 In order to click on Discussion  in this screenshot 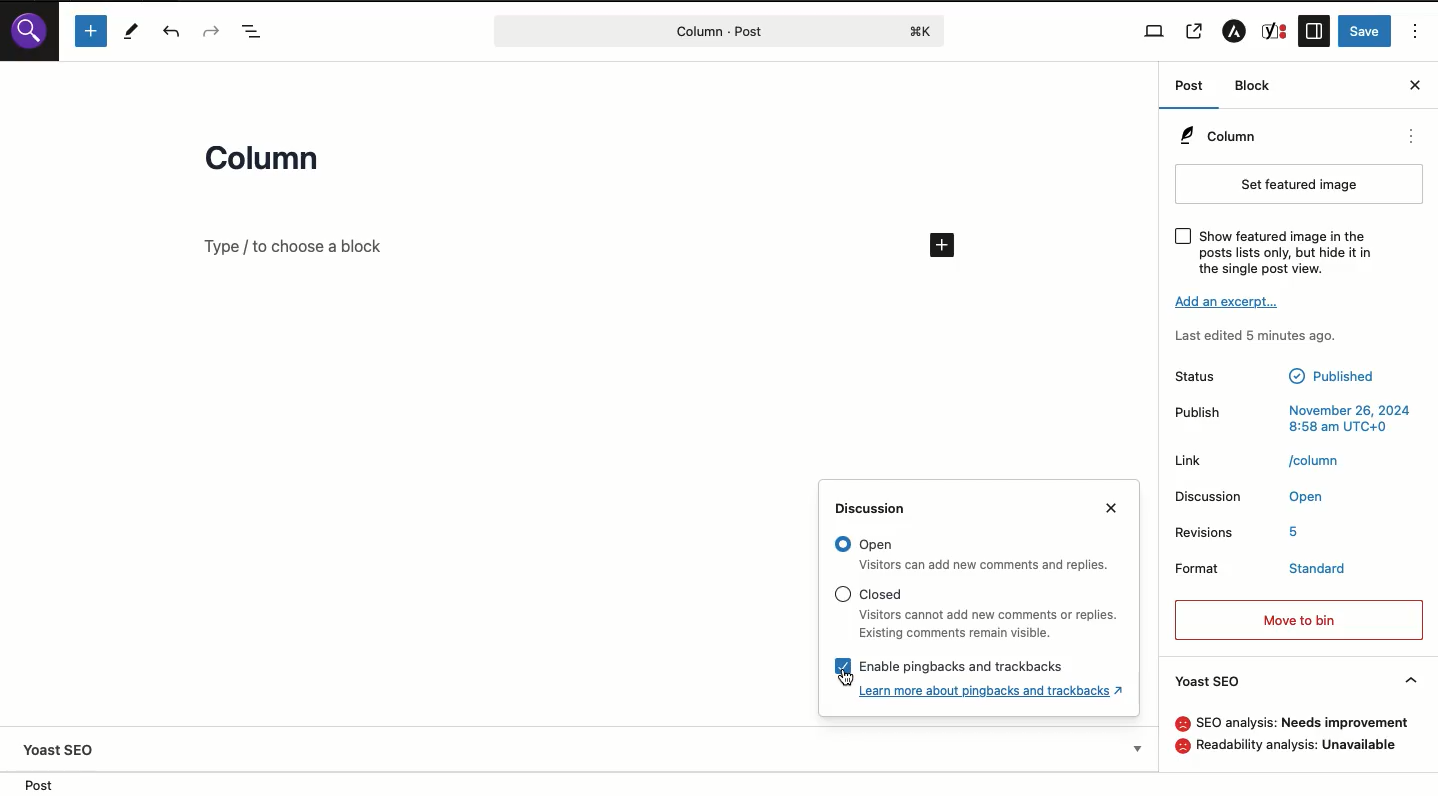, I will do `click(1210, 496)`.